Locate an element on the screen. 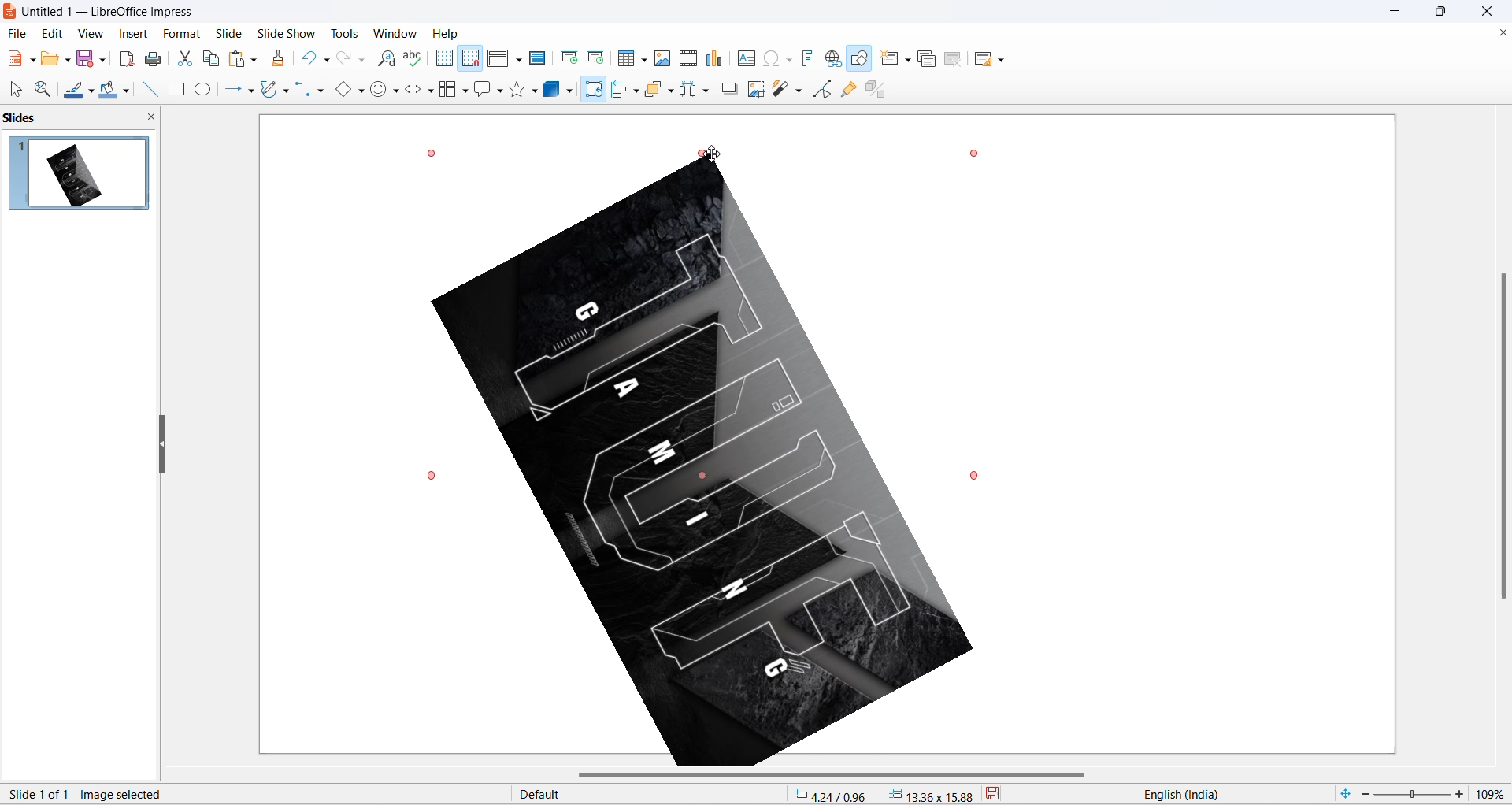 The image size is (1512, 805). close is located at coordinates (1492, 11).